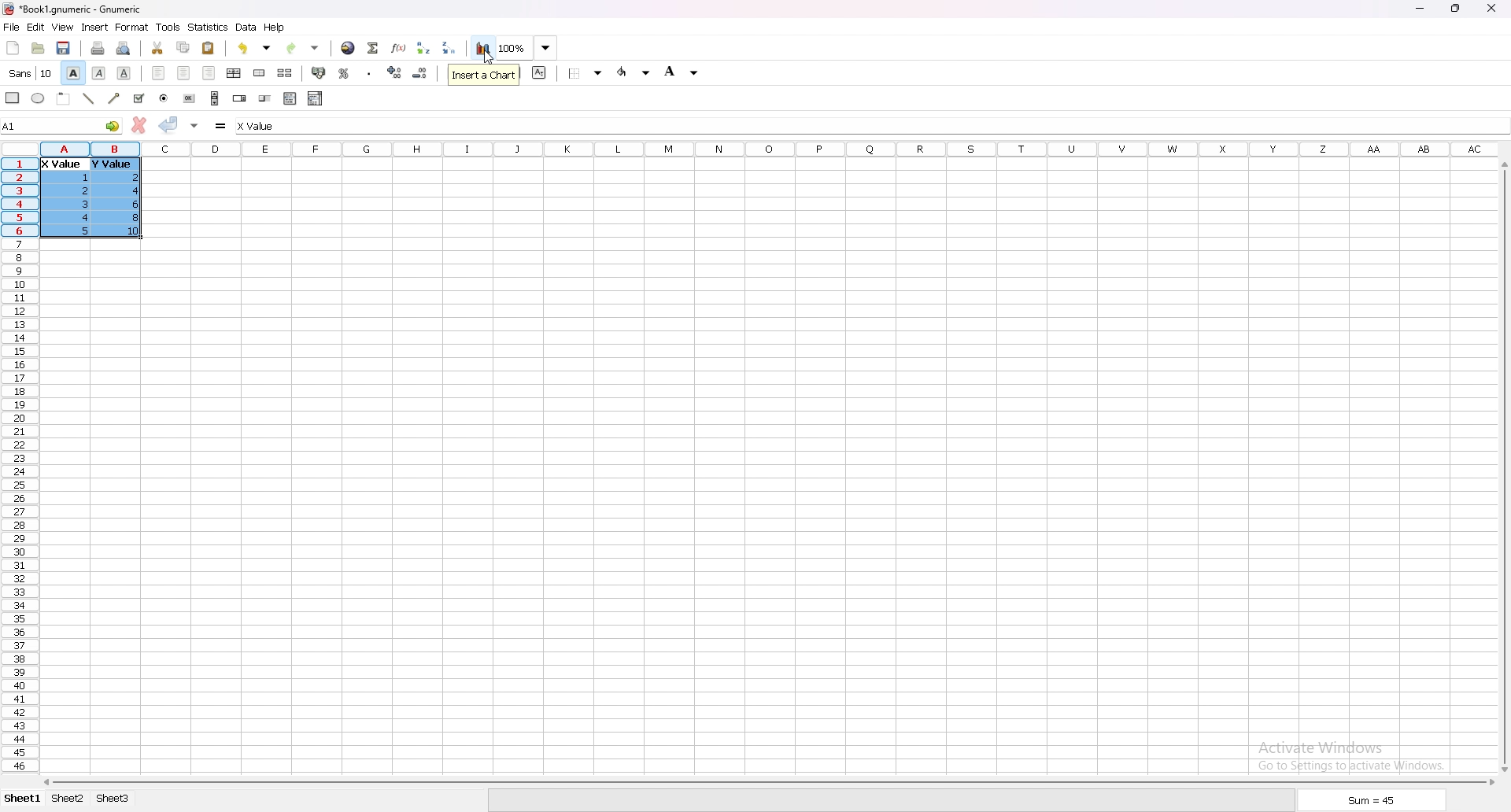 This screenshot has width=1511, height=812. I want to click on edit, so click(35, 27).